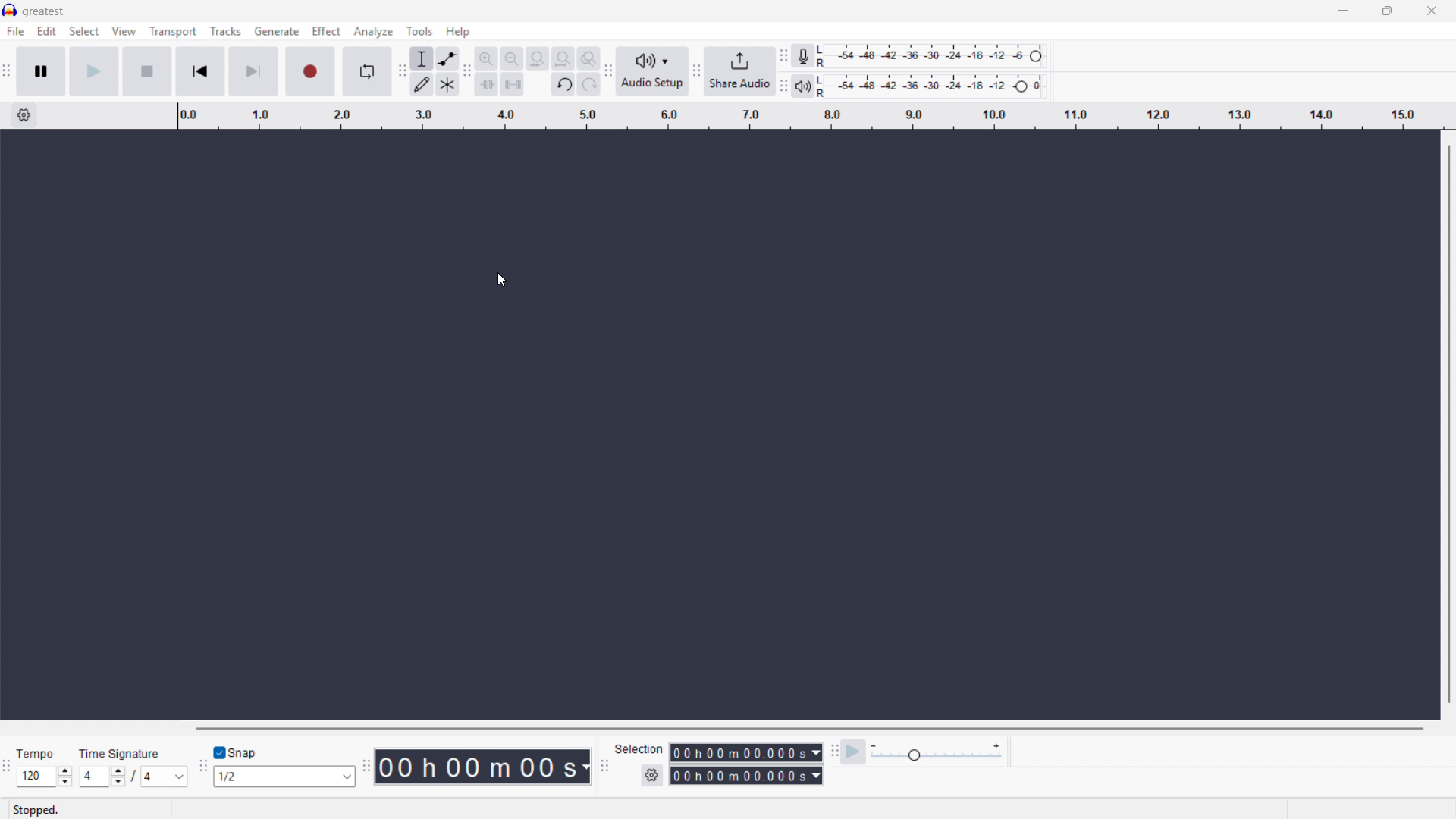  What do you see at coordinates (589, 84) in the screenshot?
I see `redo` at bounding box center [589, 84].